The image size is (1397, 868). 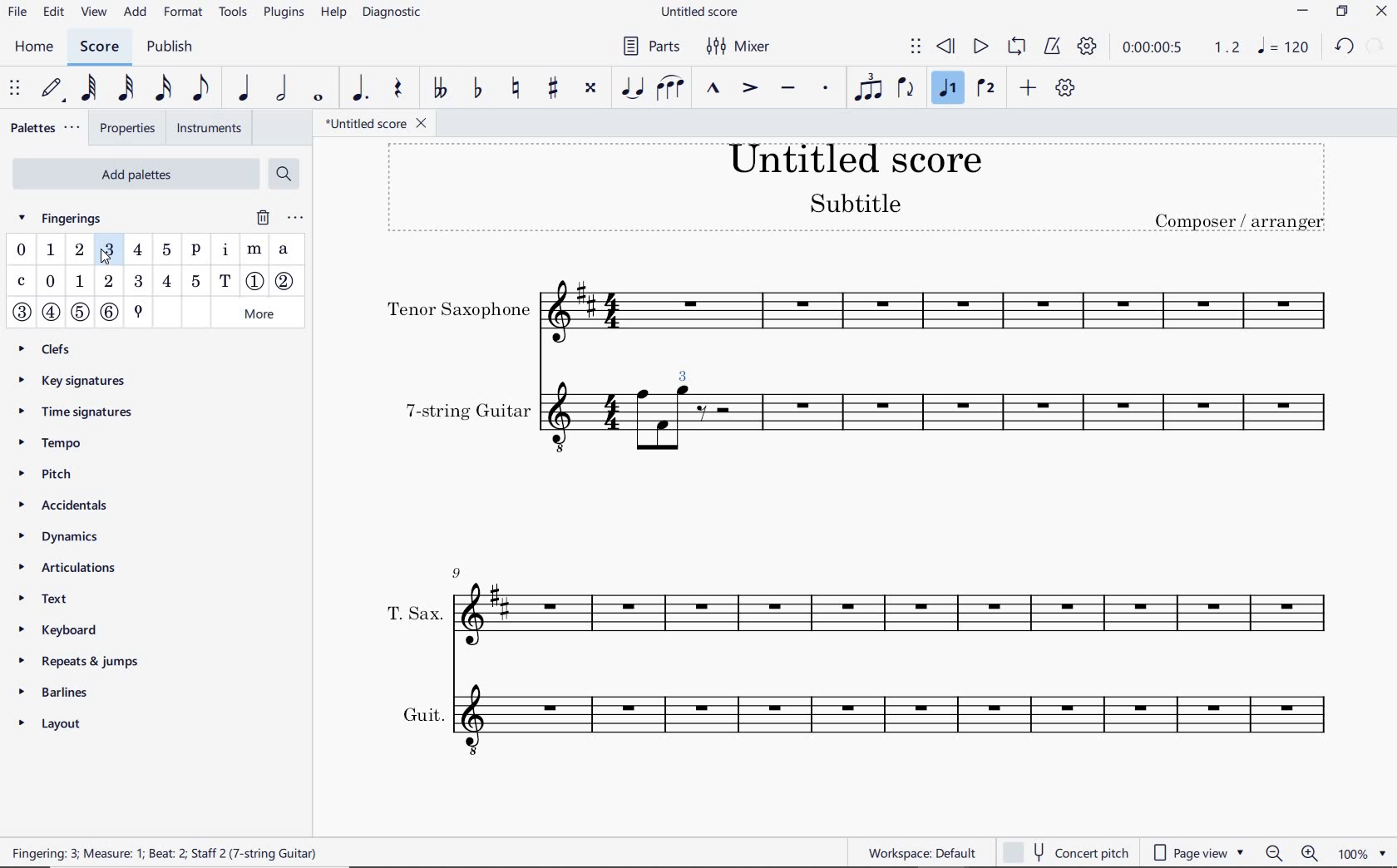 What do you see at coordinates (1365, 852) in the screenshot?
I see `ZOOM FACTOR` at bounding box center [1365, 852].